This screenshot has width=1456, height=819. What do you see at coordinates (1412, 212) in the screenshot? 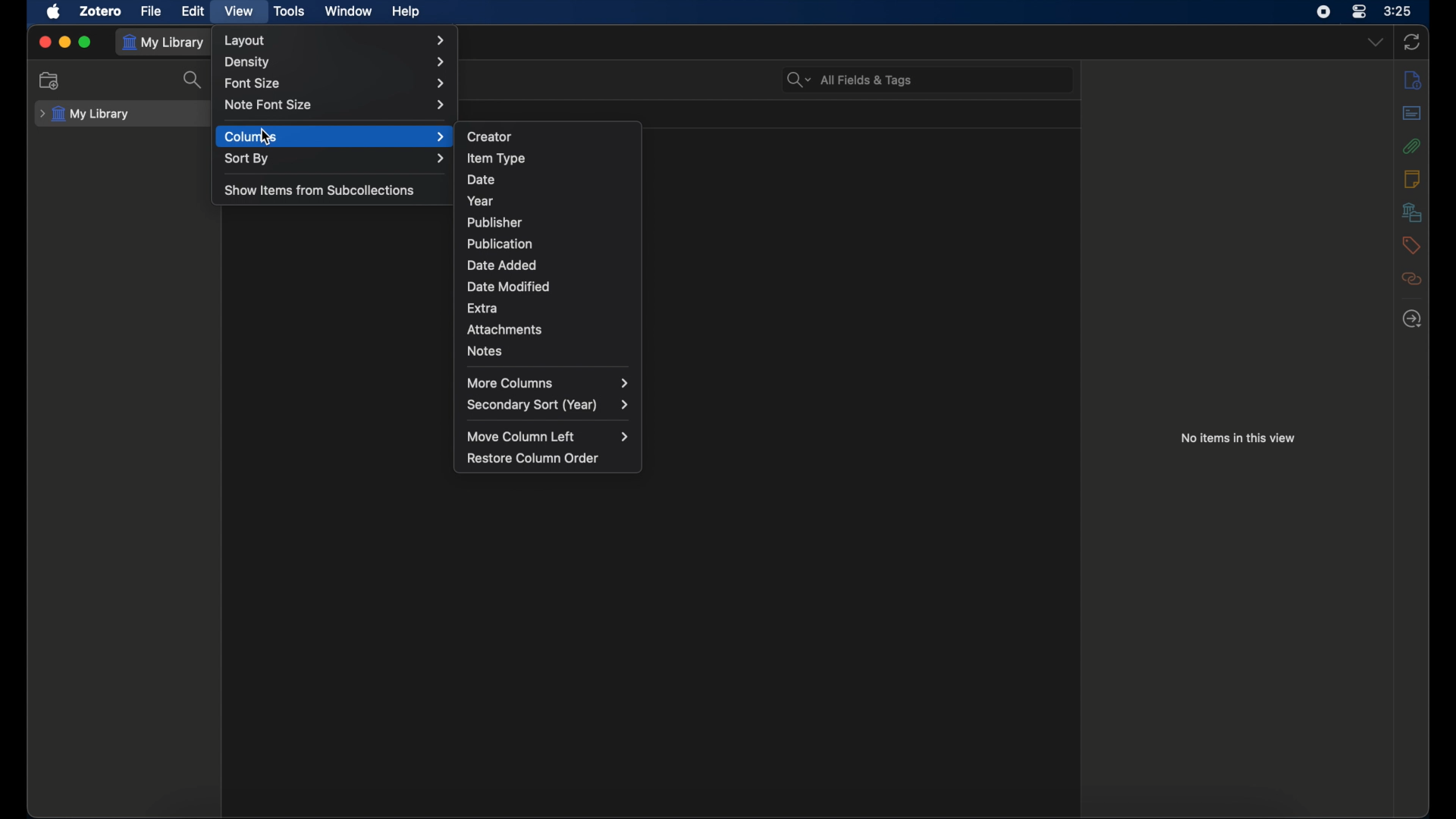
I see `libraries` at bounding box center [1412, 212].